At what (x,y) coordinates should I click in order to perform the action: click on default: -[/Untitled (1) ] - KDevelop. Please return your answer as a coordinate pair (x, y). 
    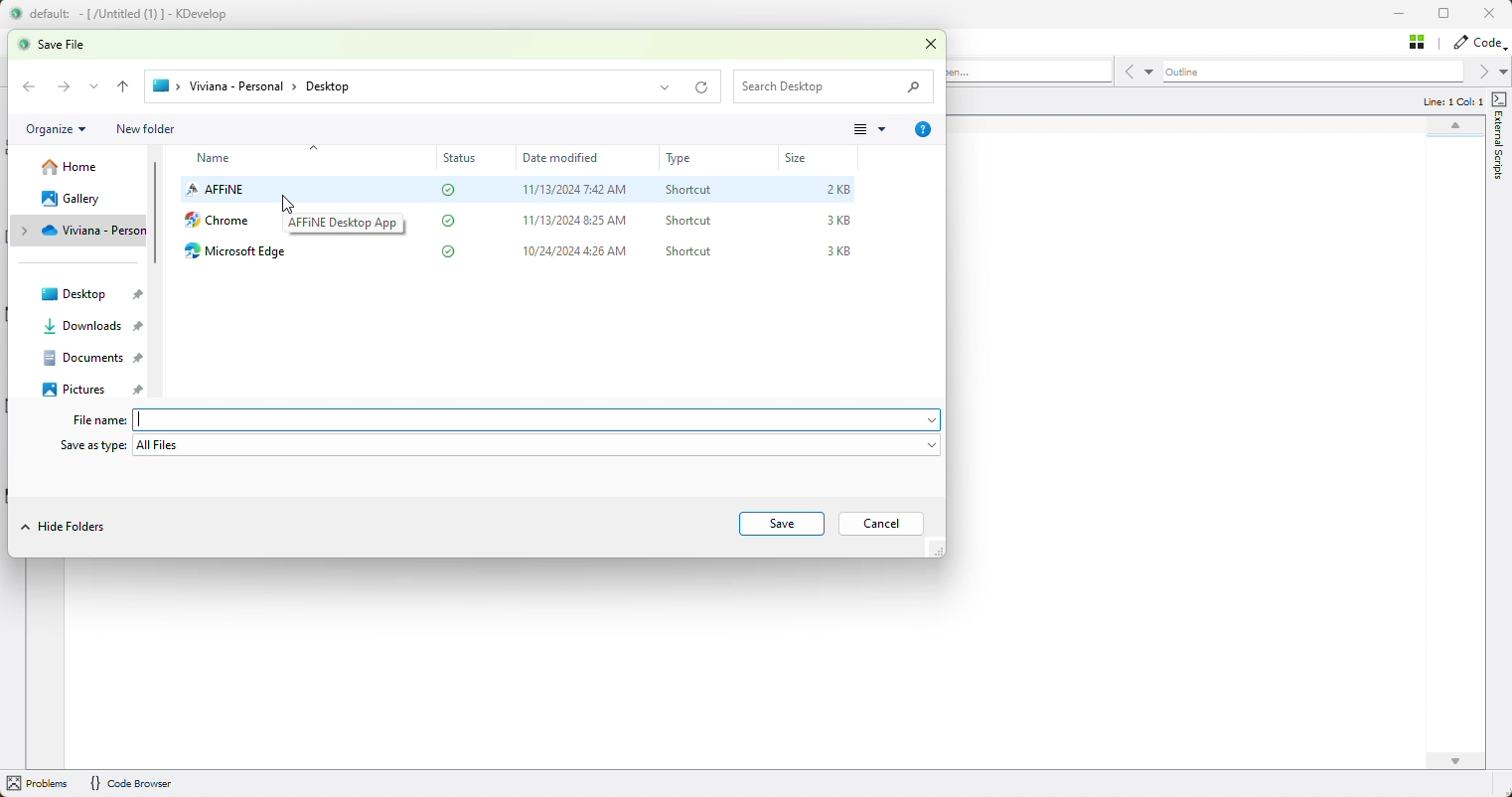
    Looking at the image, I should click on (129, 14).